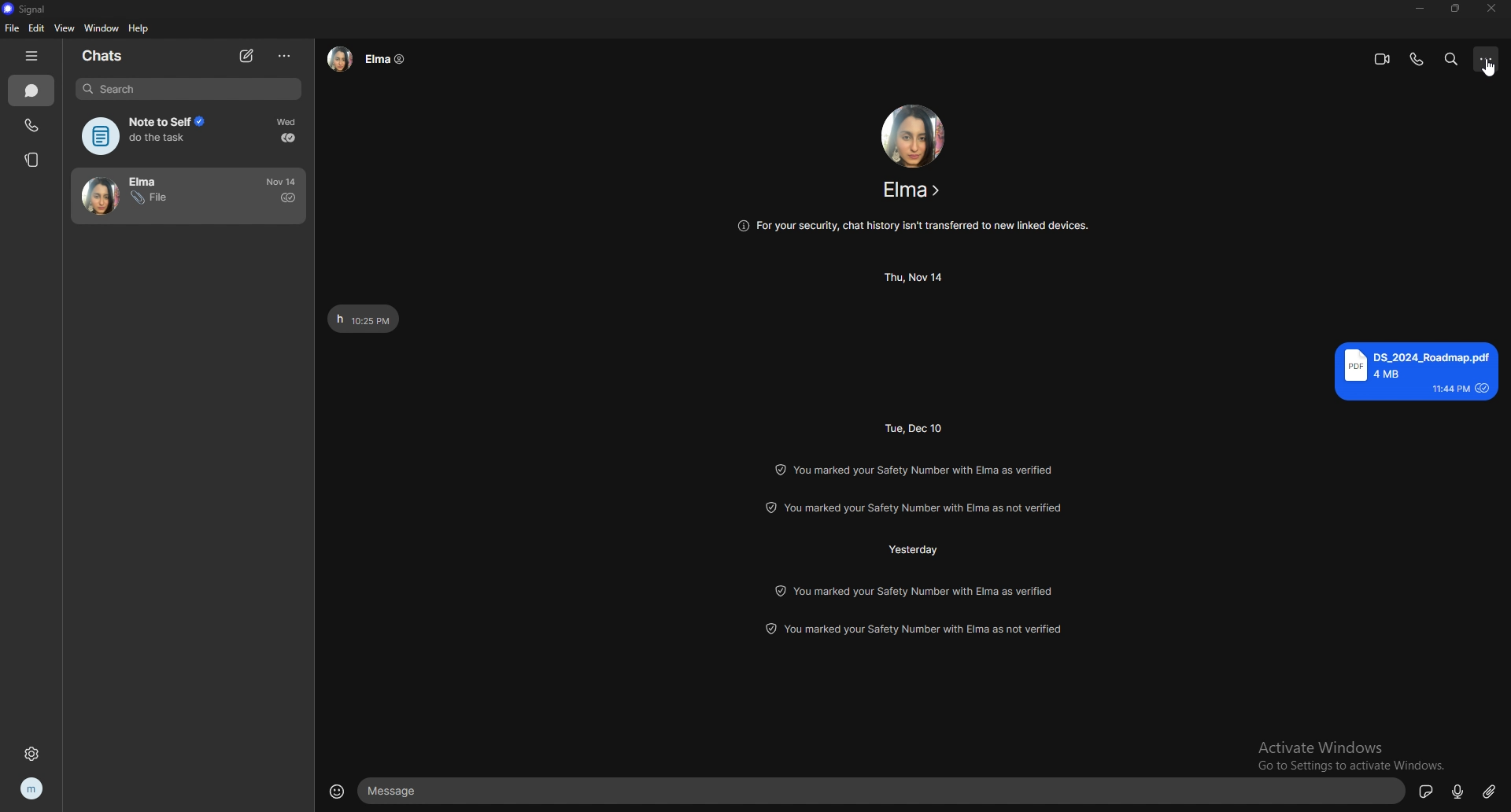 This screenshot has height=812, width=1511. What do you see at coordinates (1450, 59) in the screenshot?
I see `search messages` at bounding box center [1450, 59].